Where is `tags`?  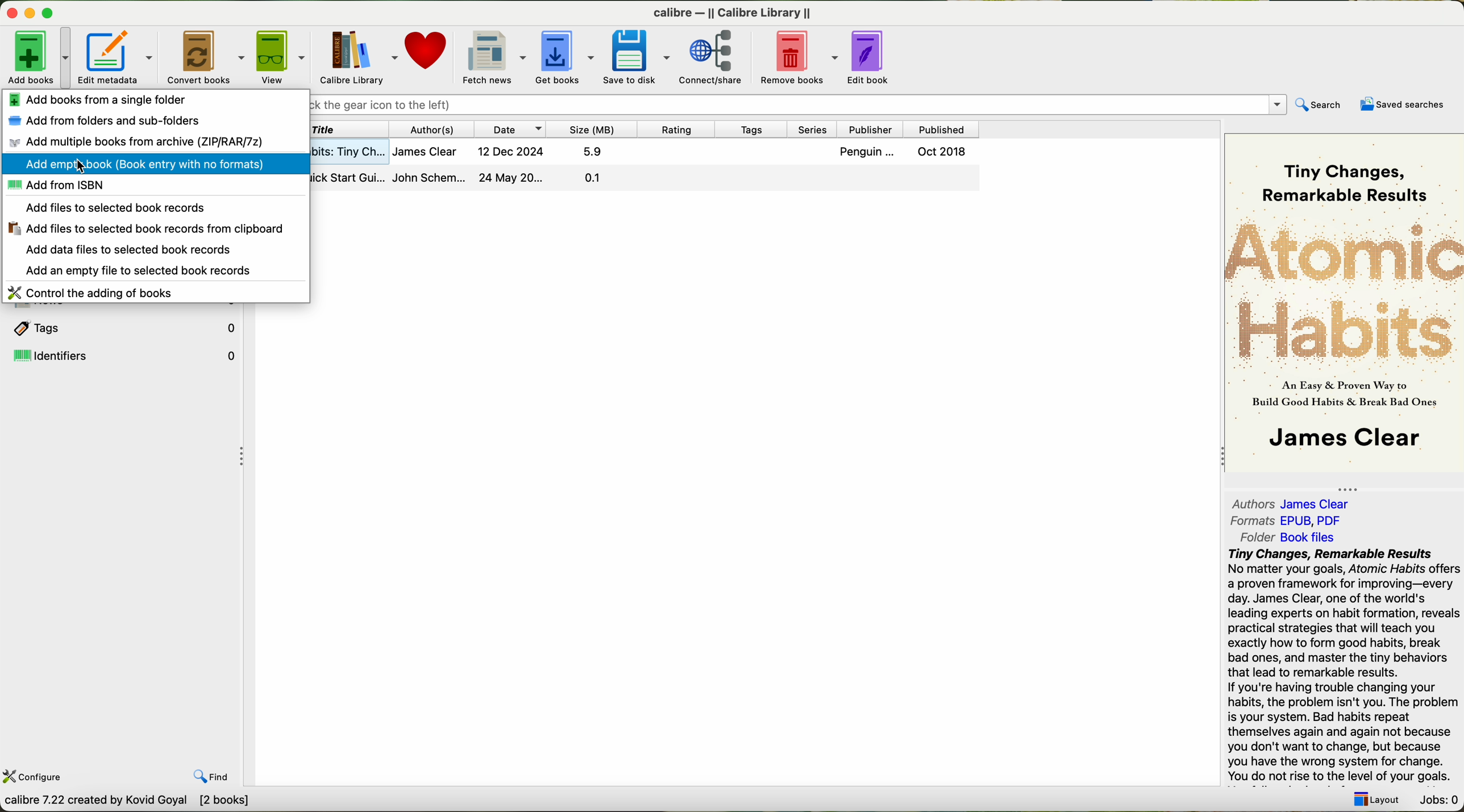
tags is located at coordinates (121, 327).